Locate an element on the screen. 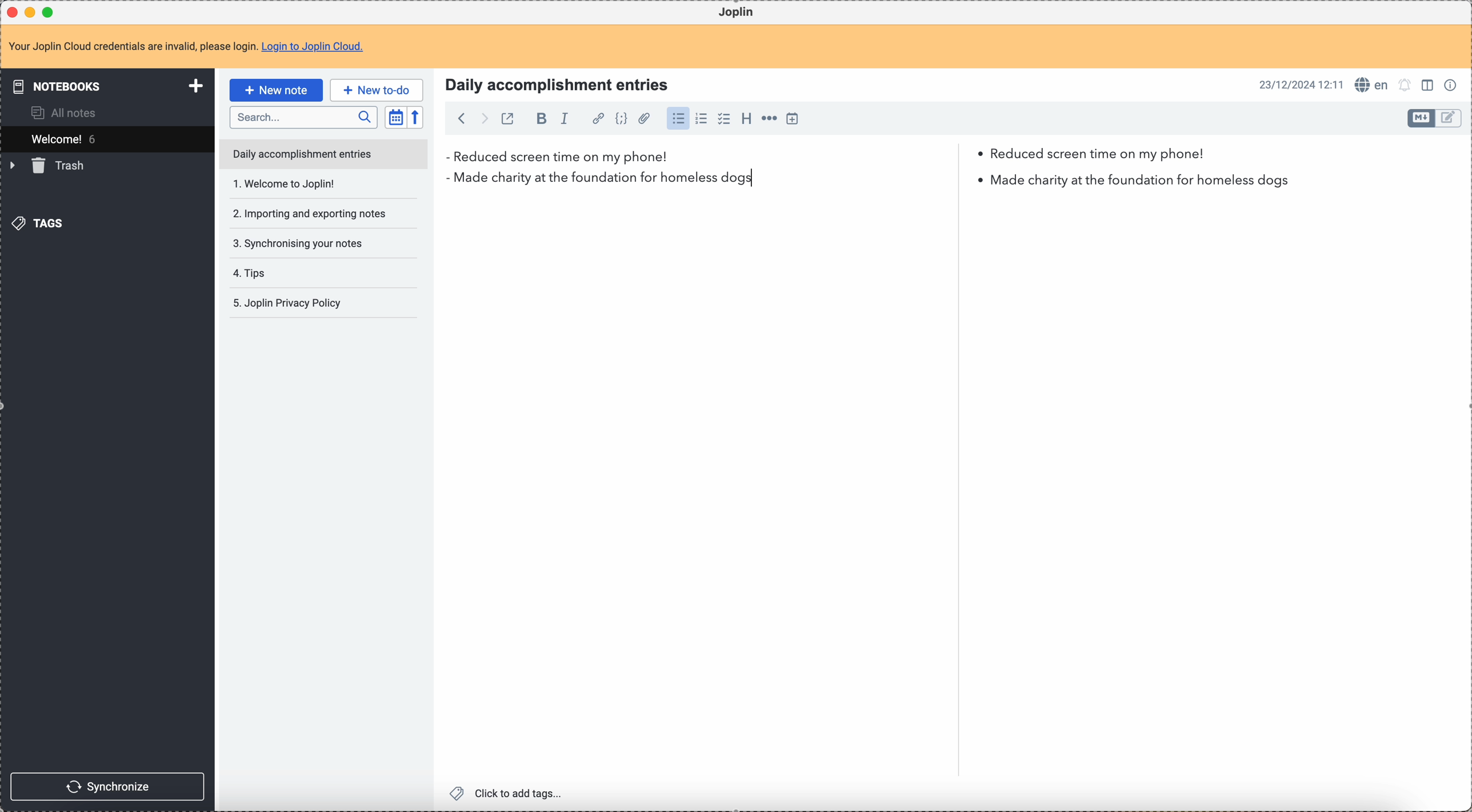 The image size is (1472, 812). hyperlink is located at coordinates (598, 119).